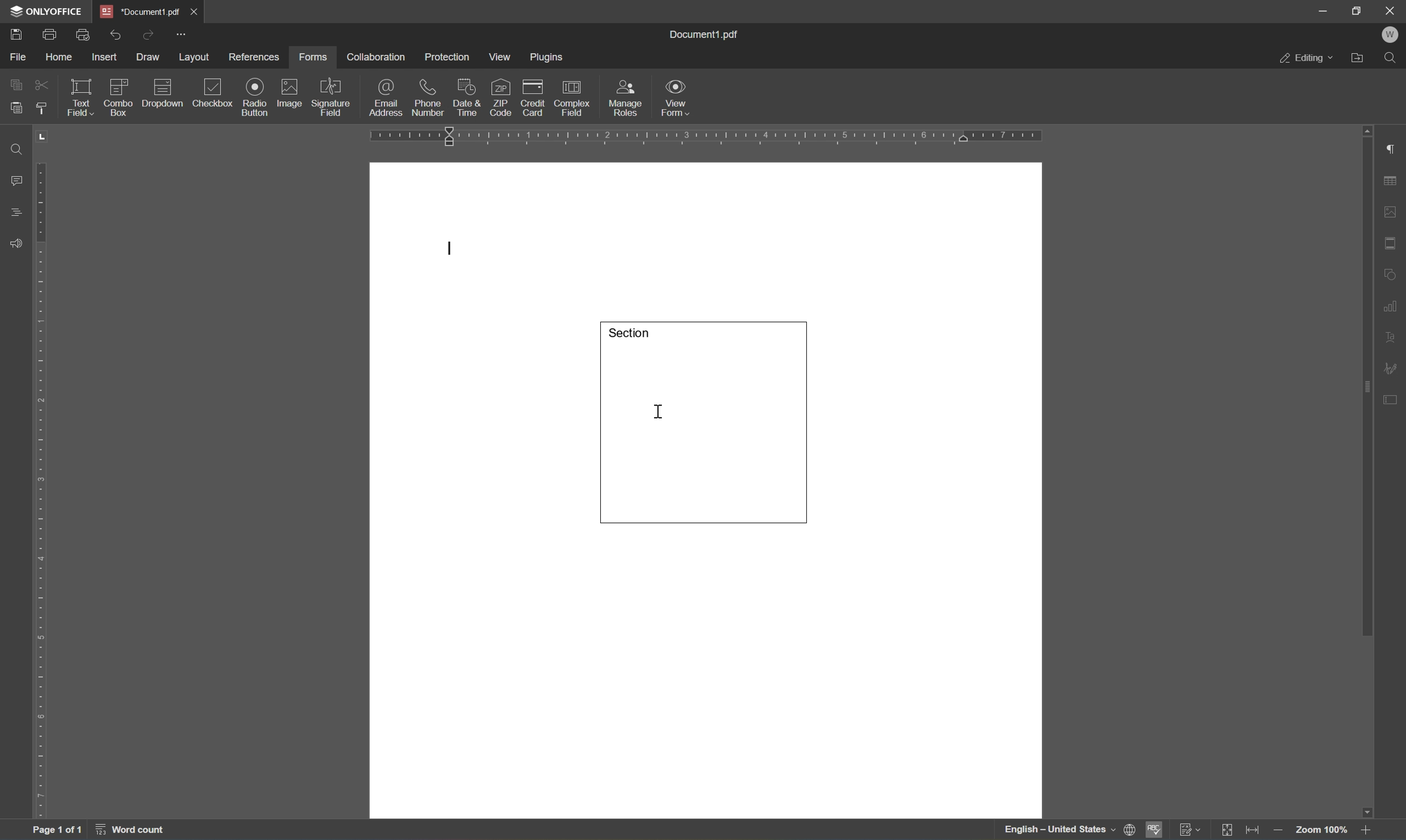 This screenshot has width=1406, height=840. I want to click on zoom 100%, so click(1322, 832).